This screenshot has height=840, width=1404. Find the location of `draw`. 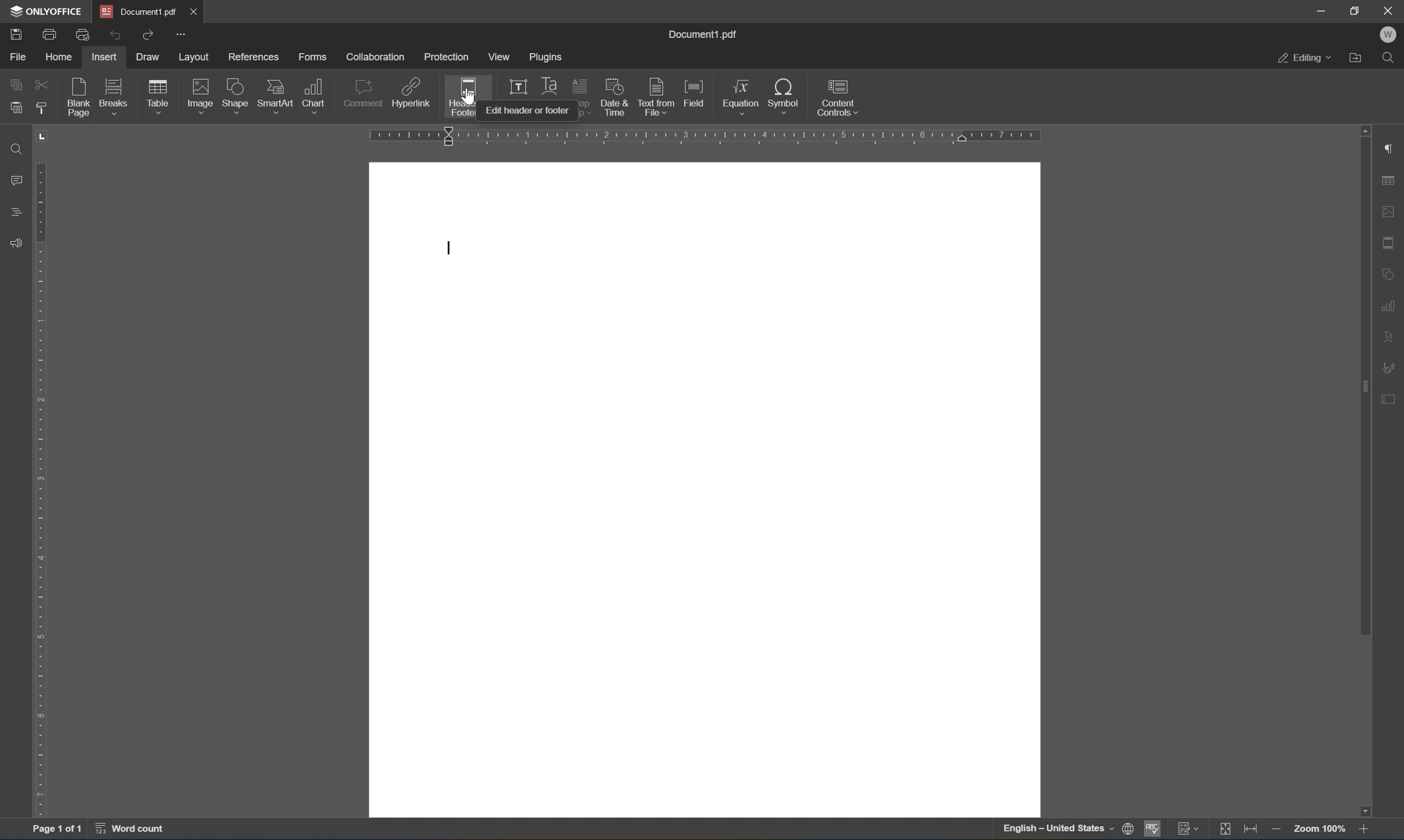

draw is located at coordinates (153, 57).